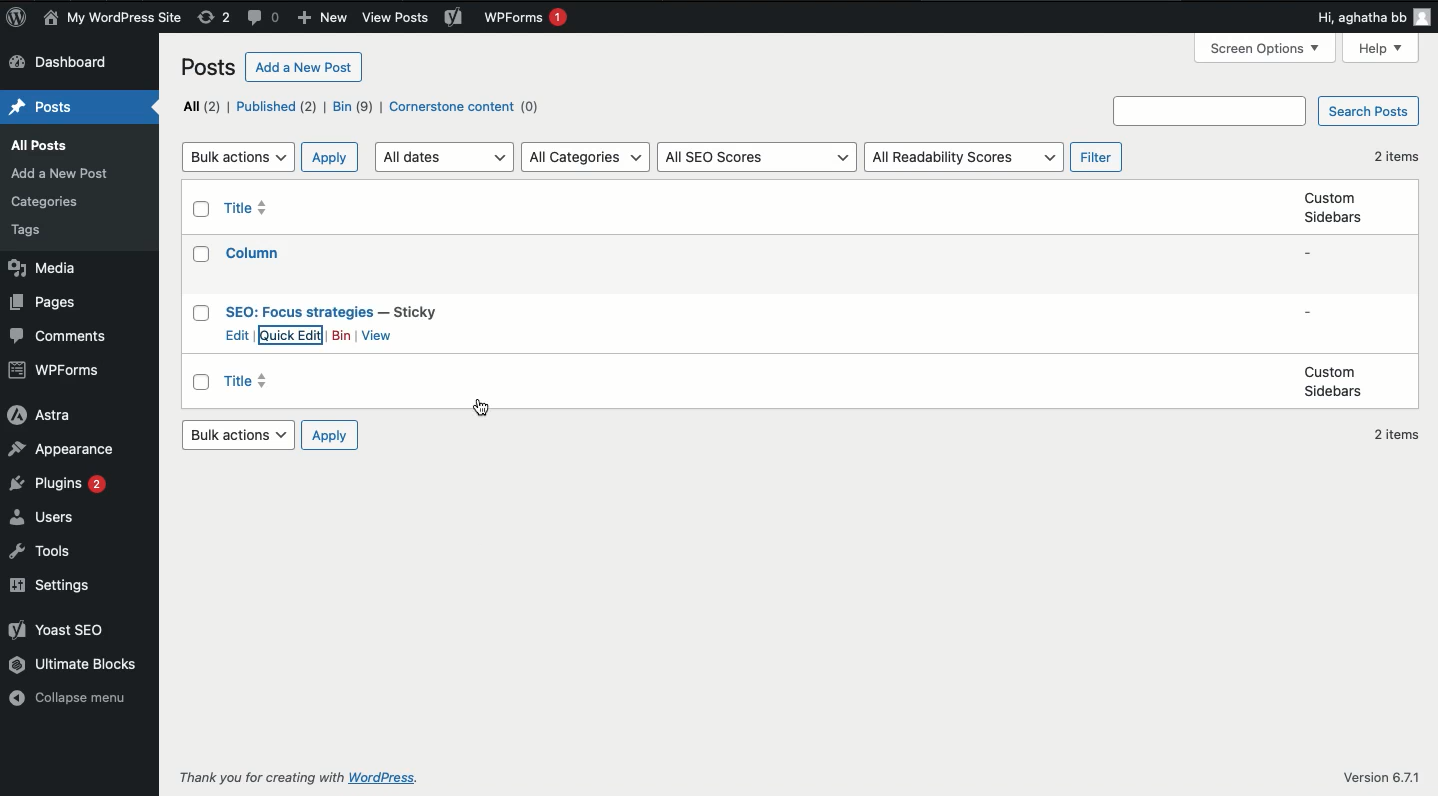  What do you see at coordinates (39, 414) in the screenshot?
I see `Astra` at bounding box center [39, 414].